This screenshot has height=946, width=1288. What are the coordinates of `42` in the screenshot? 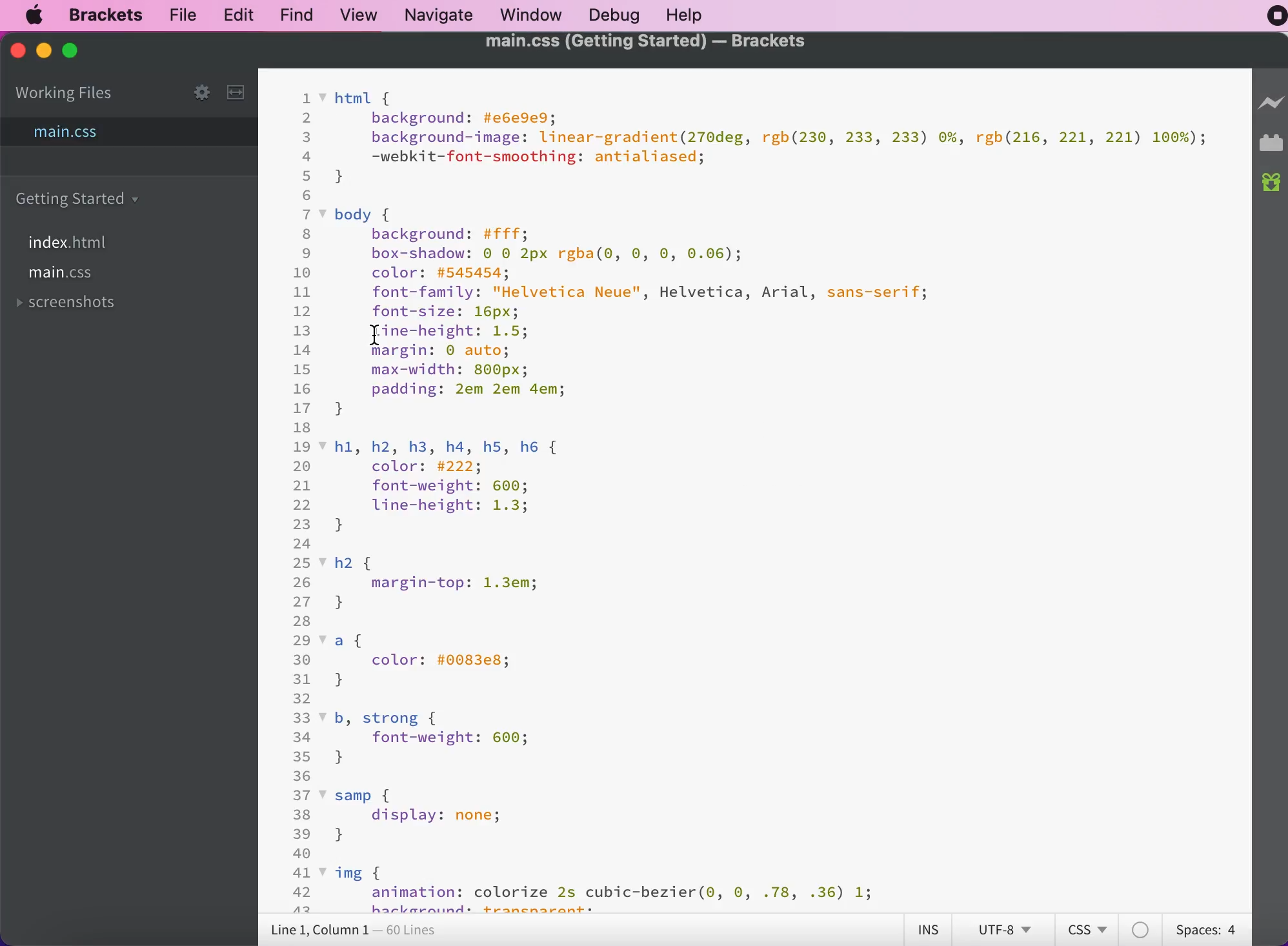 It's located at (301, 892).